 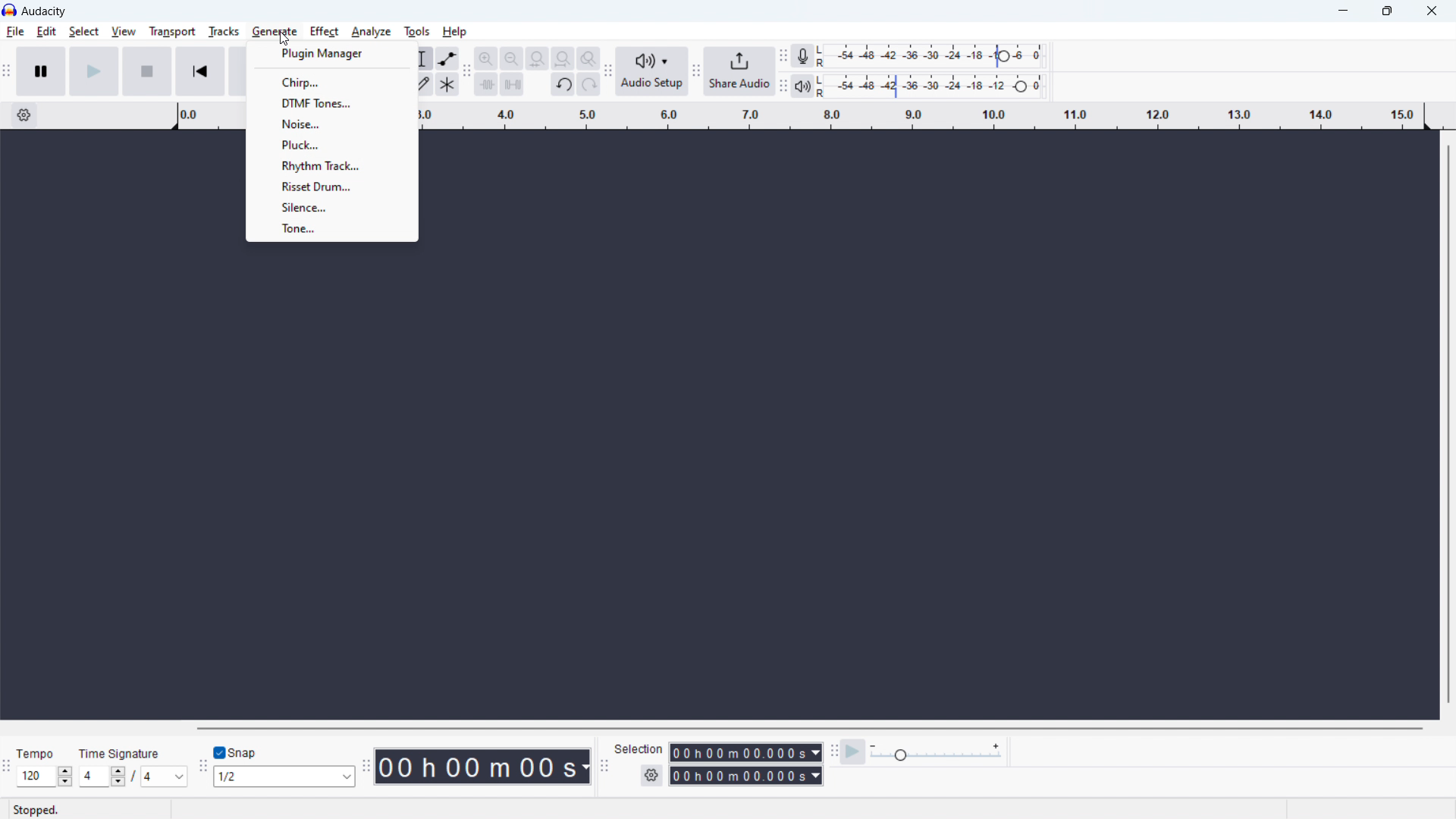 What do you see at coordinates (290, 36) in the screenshot?
I see `cursor` at bounding box center [290, 36].